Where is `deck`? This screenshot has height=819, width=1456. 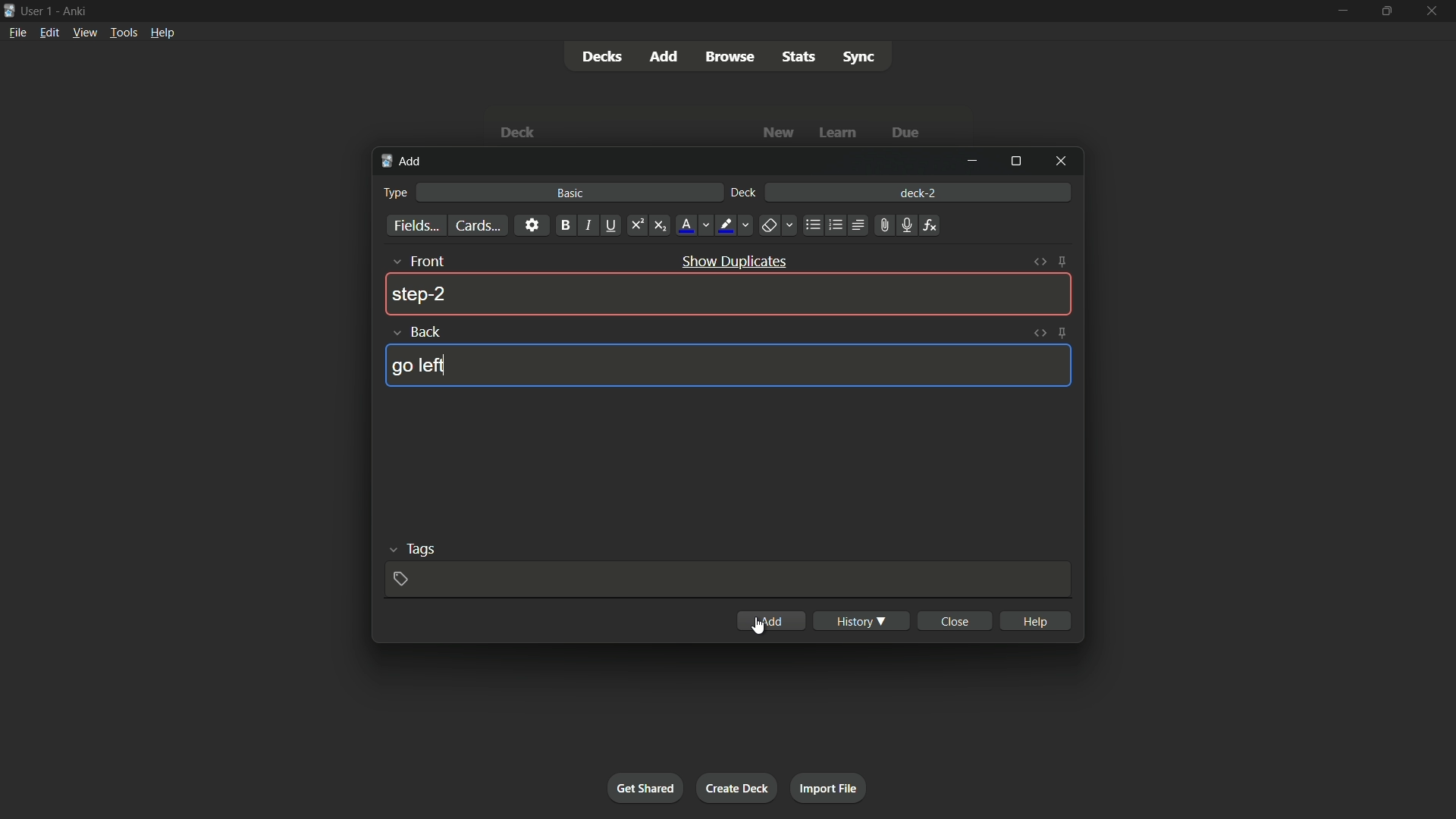
deck is located at coordinates (521, 132).